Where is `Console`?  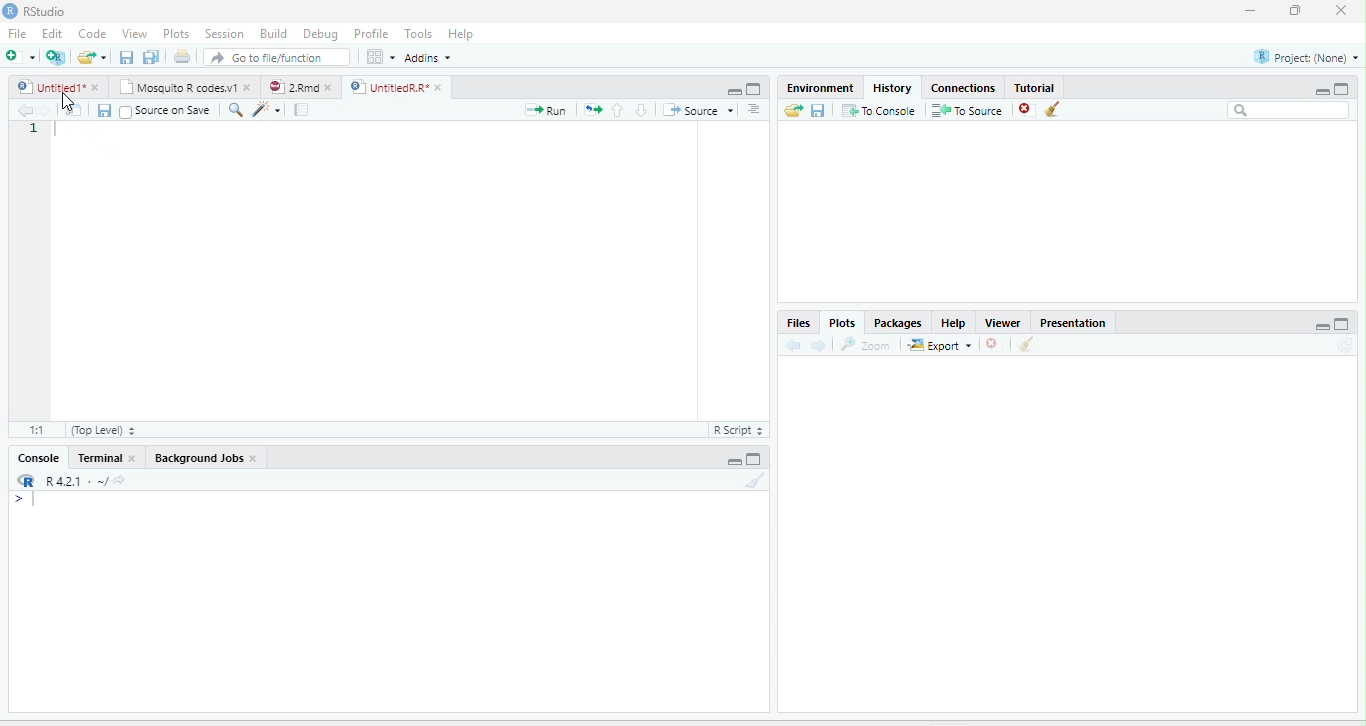 Console is located at coordinates (39, 458).